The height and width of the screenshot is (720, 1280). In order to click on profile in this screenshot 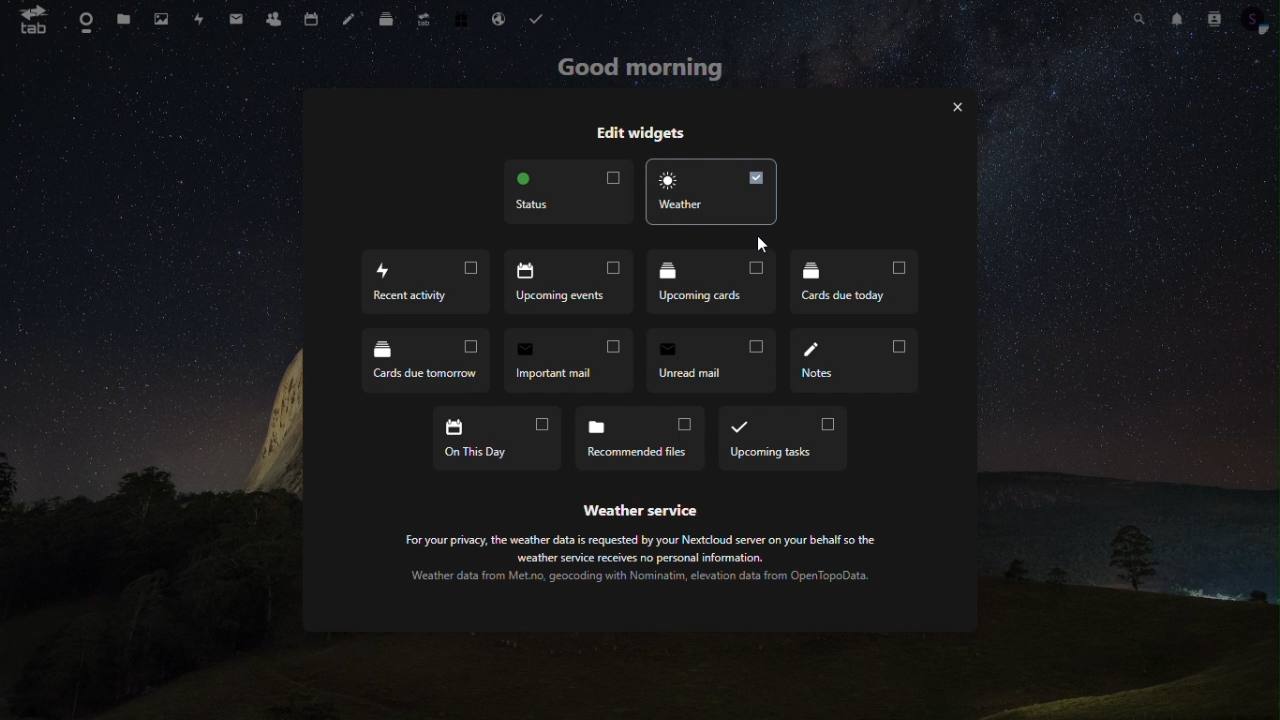, I will do `click(1255, 19)`.